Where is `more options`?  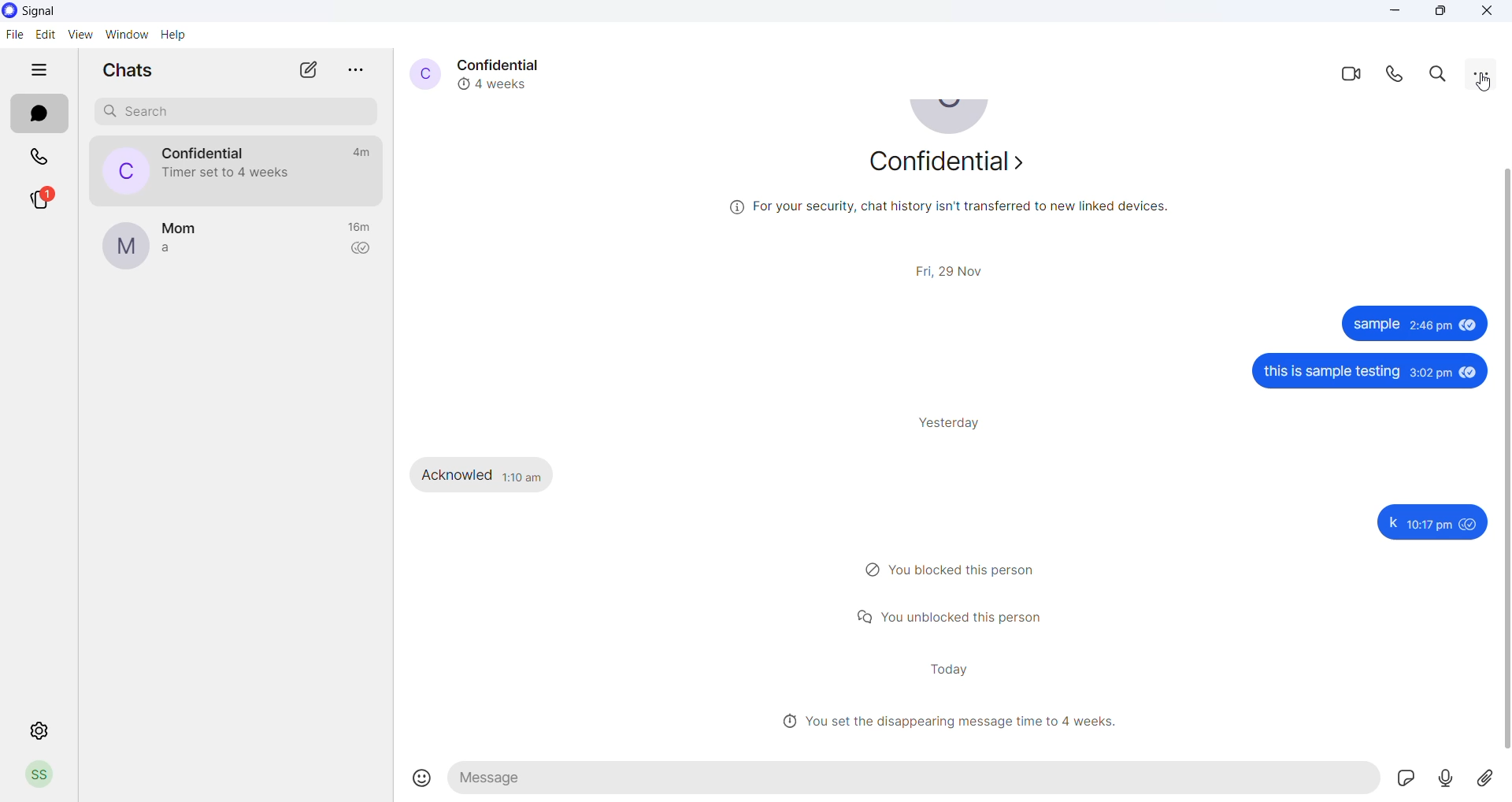 more options is located at coordinates (358, 69).